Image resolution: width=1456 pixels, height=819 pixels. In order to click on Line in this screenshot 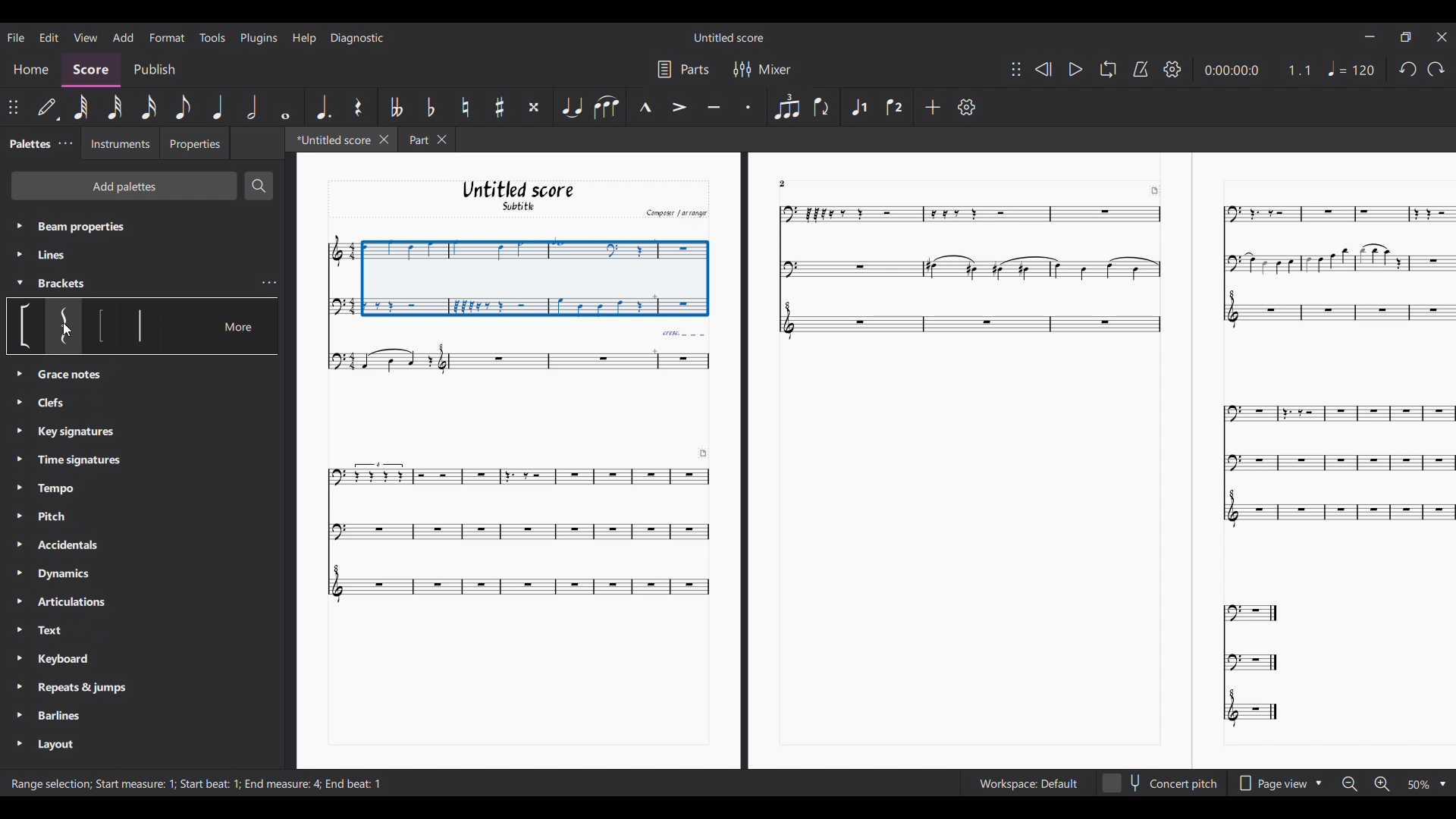, I will do `click(65, 255)`.